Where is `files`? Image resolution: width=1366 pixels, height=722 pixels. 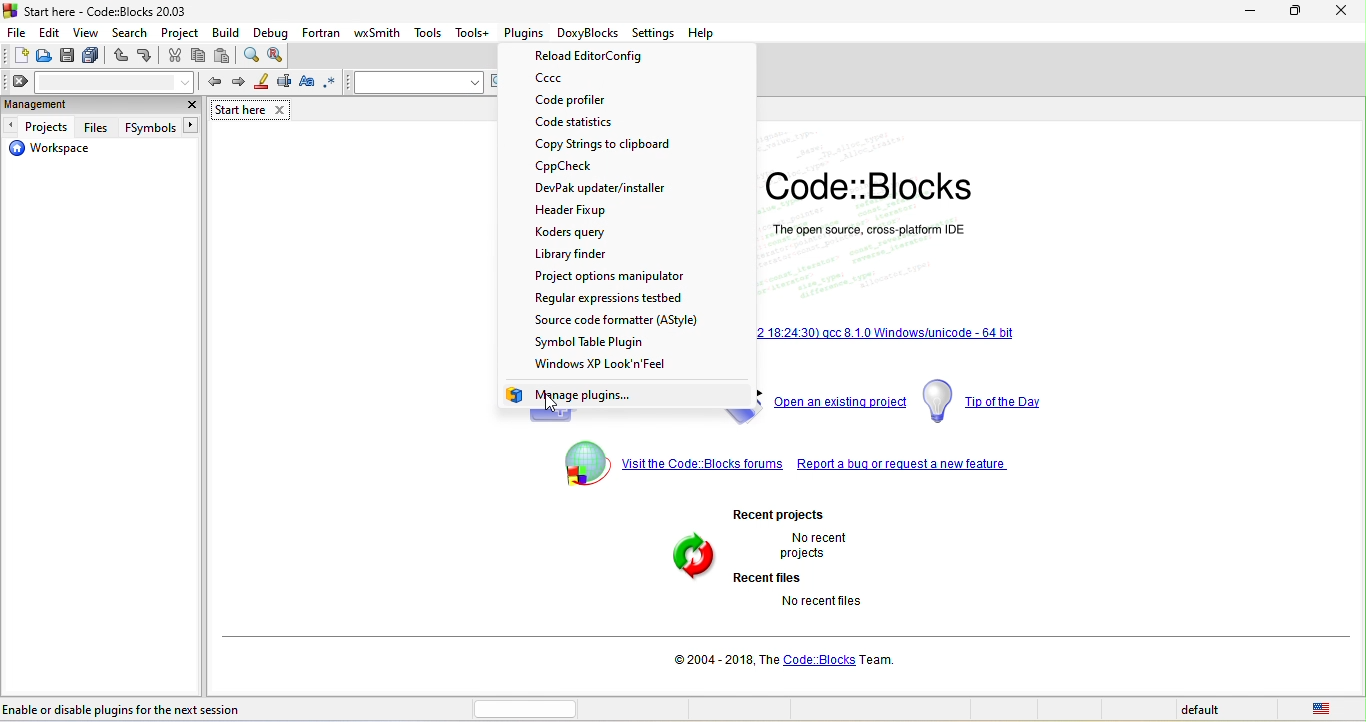
files is located at coordinates (99, 127).